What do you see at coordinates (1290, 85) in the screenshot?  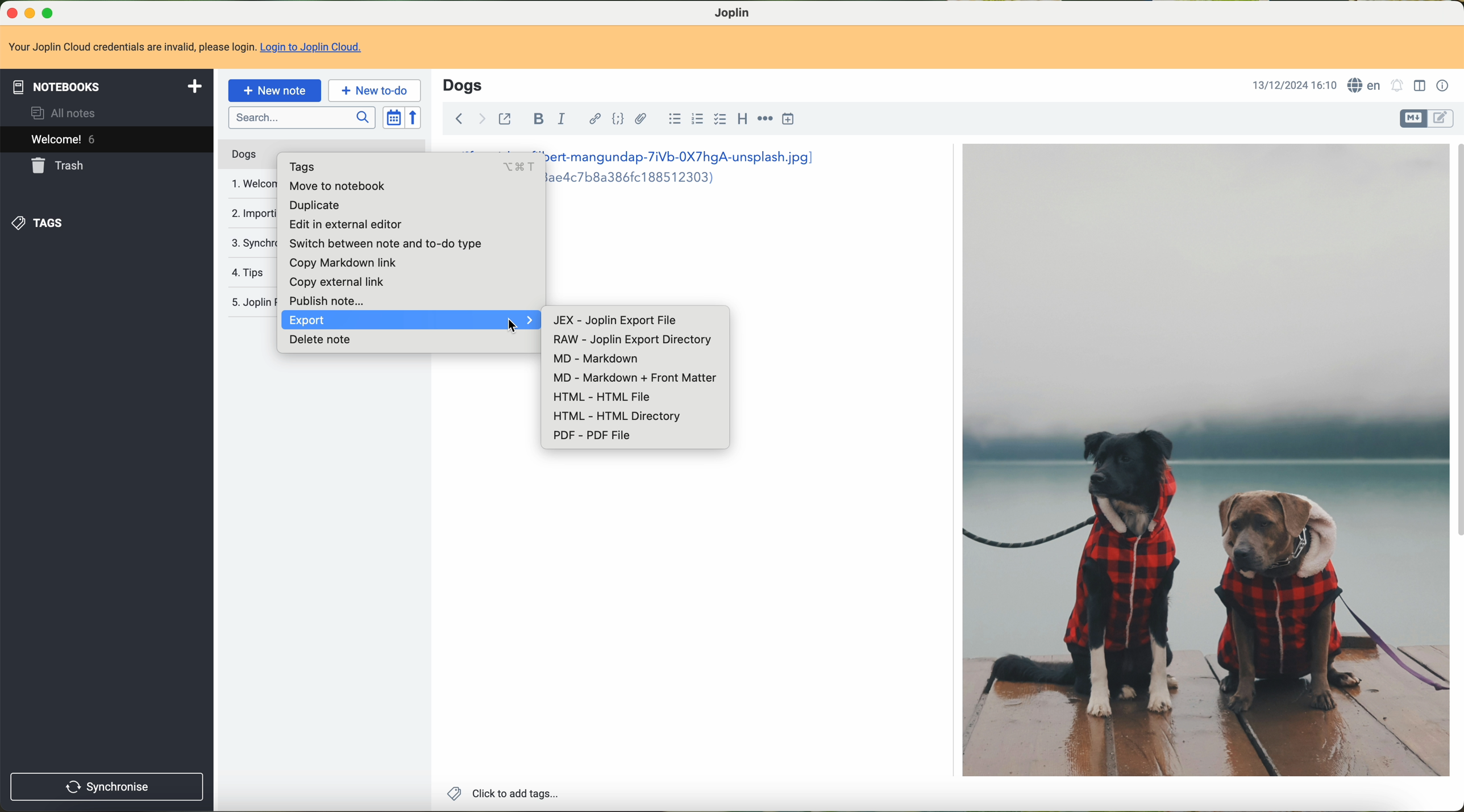 I see `13/12/2024 16:10` at bounding box center [1290, 85].